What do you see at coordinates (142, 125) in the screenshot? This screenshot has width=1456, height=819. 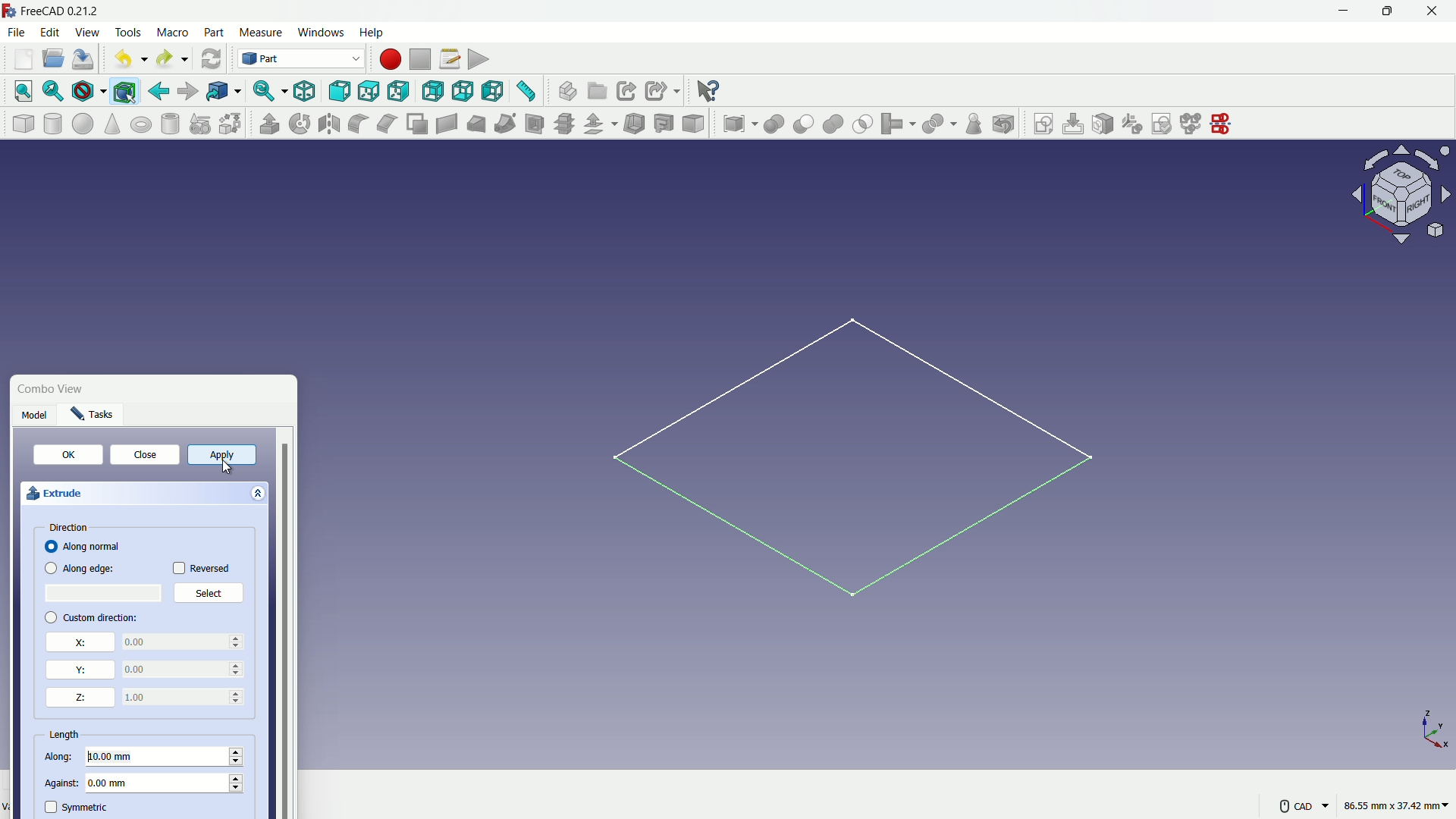 I see `torus solid` at bounding box center [142, 125].